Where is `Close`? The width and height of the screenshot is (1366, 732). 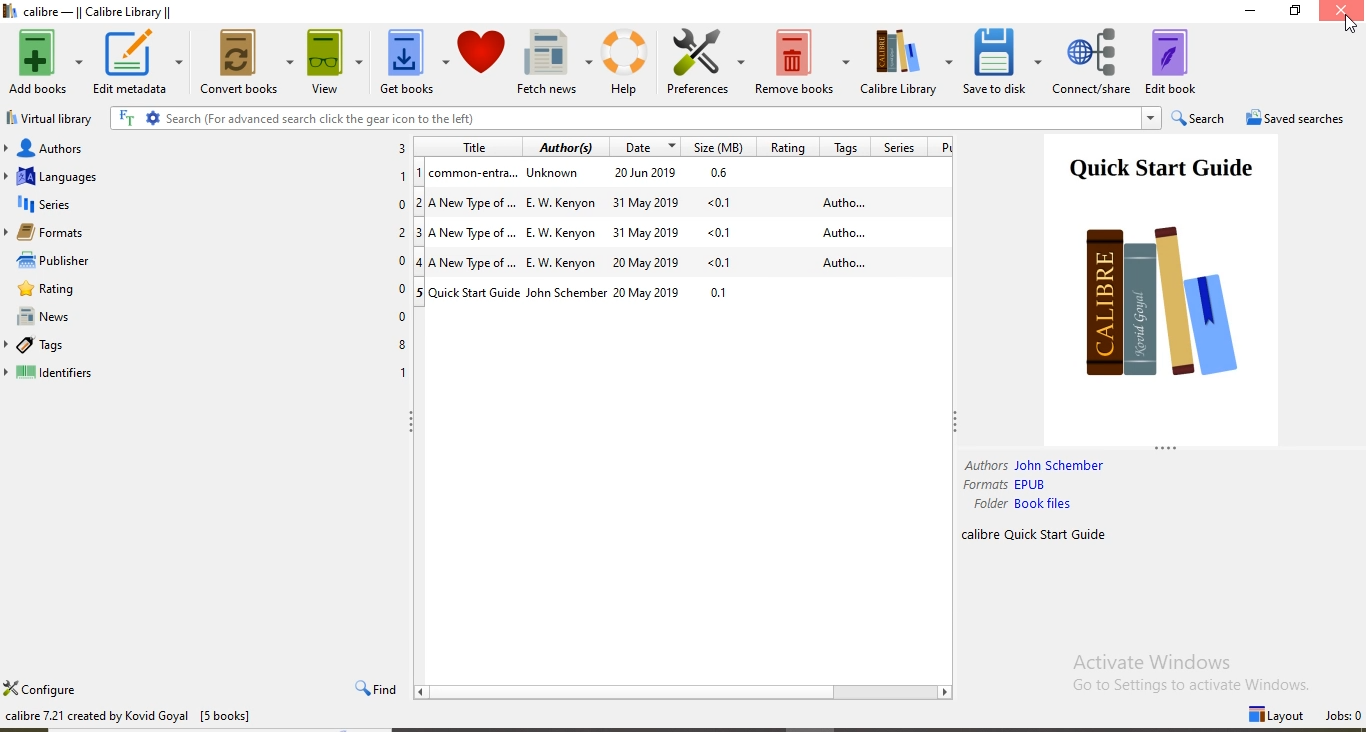 Close is located at coordinates (1341, 10).